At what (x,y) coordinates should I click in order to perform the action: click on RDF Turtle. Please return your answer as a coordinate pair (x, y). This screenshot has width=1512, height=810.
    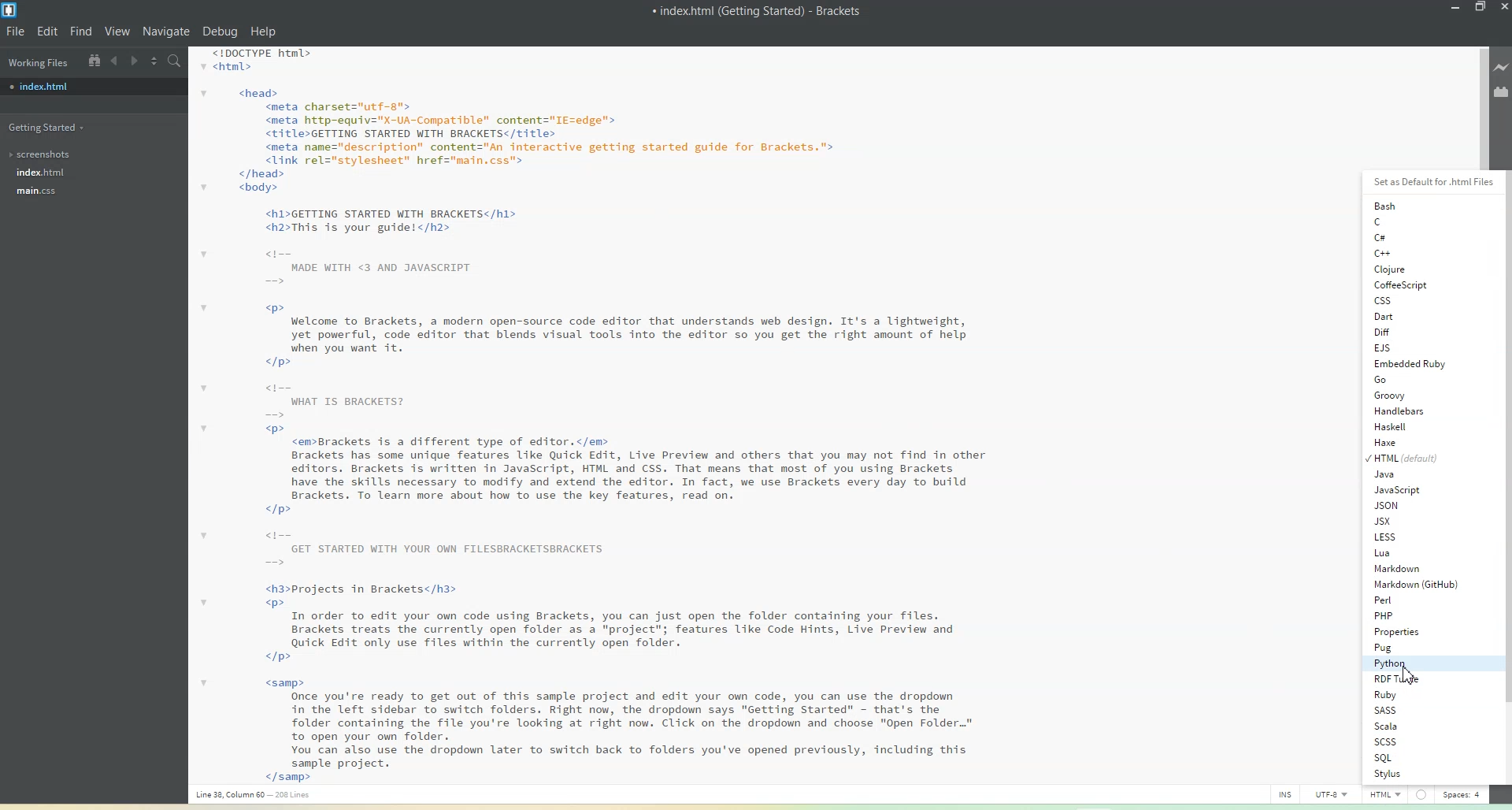
    Looking at the image, I should click on (1417, 679).